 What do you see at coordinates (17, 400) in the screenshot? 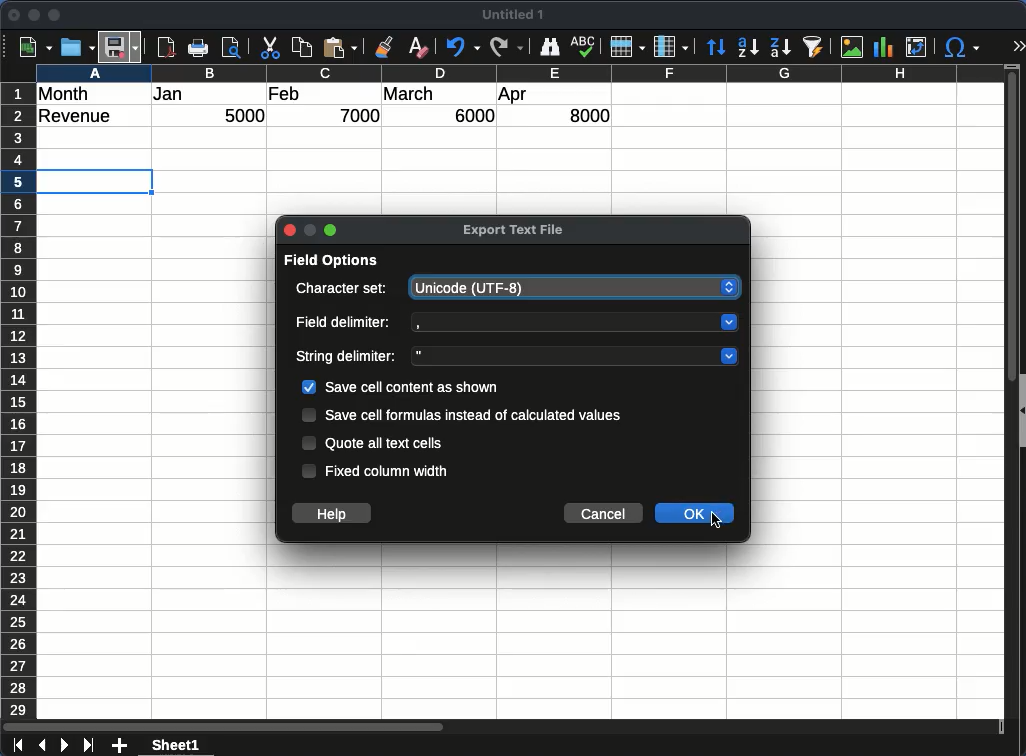
I see `row` at bounding box center [17, 400].